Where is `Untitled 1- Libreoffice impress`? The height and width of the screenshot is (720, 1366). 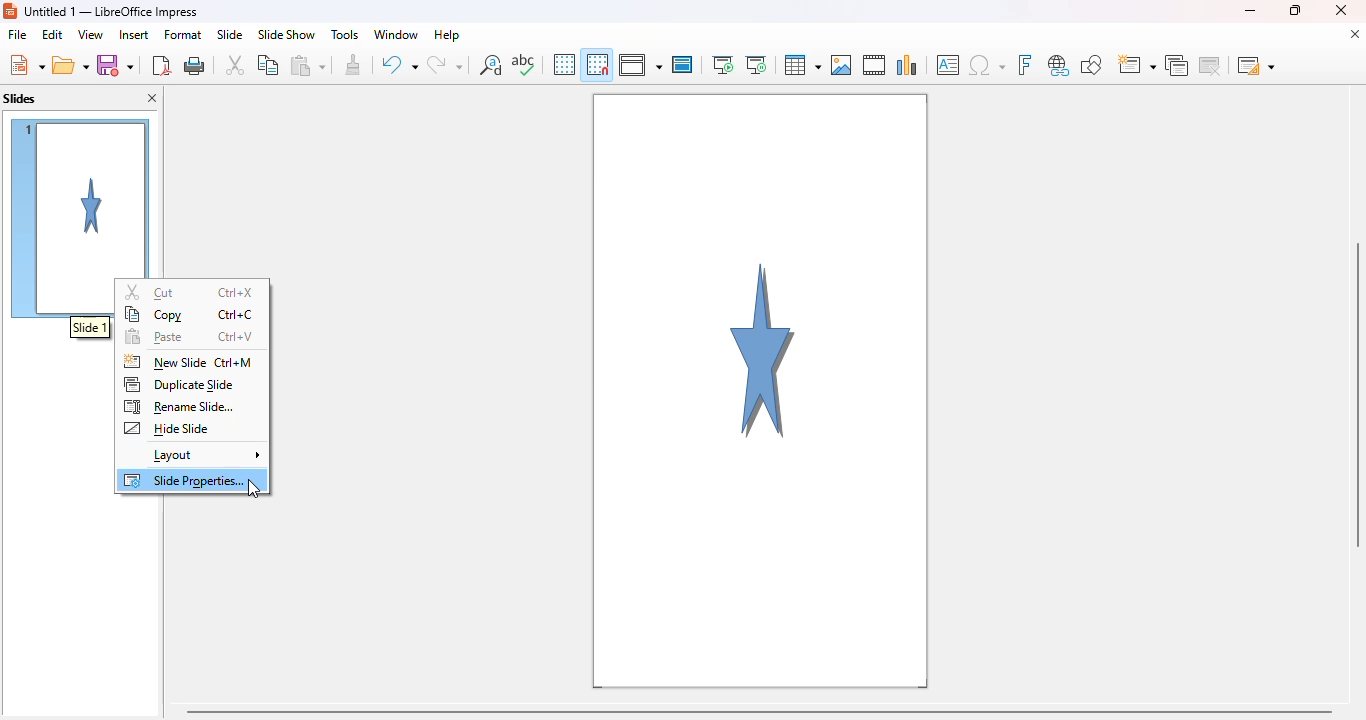 Untitled 1- Libreoffice impress is located at coordinates (111, 11).